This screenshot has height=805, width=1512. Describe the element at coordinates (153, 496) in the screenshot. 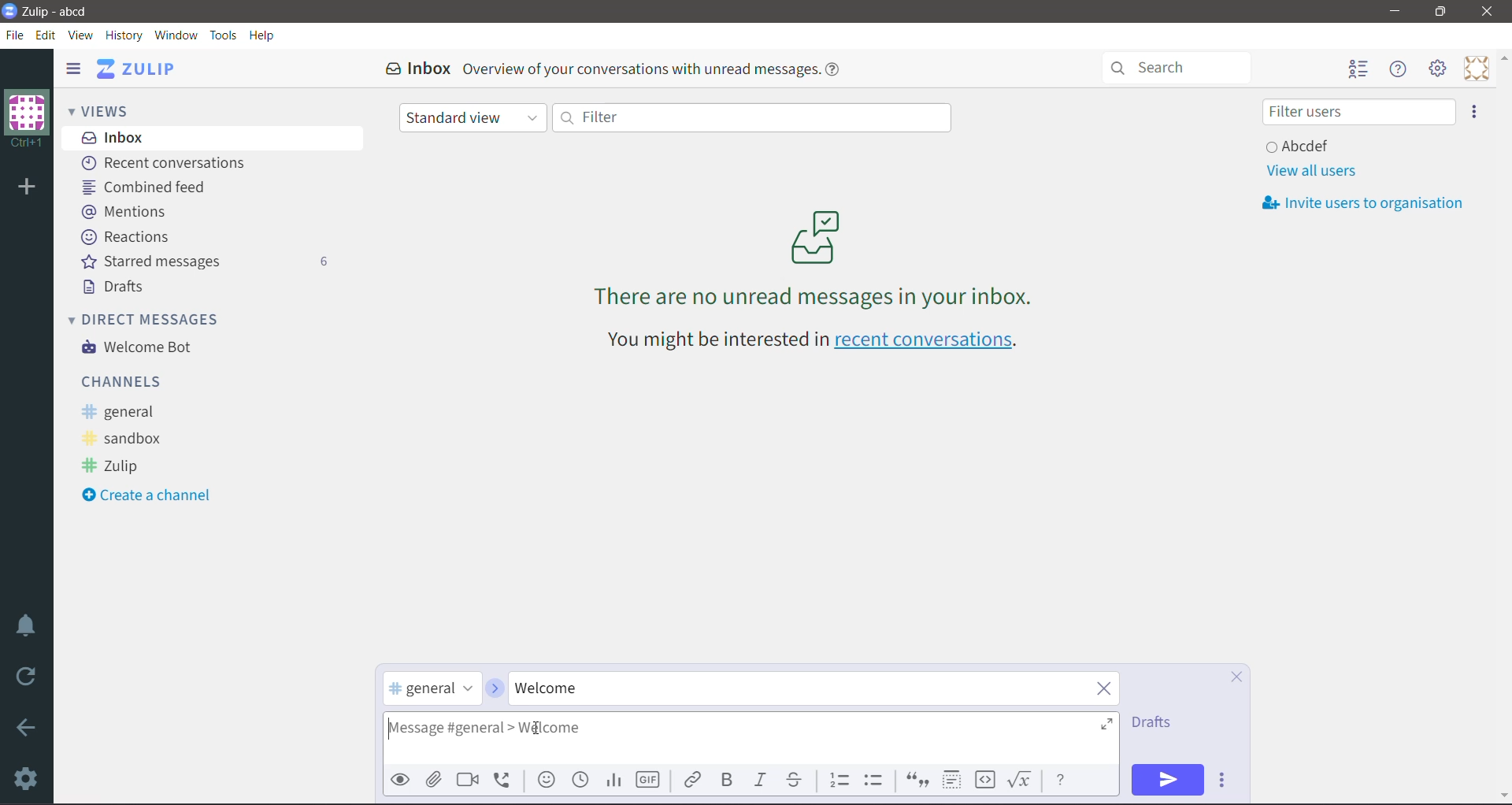

I see `Create a Channel` at that location.